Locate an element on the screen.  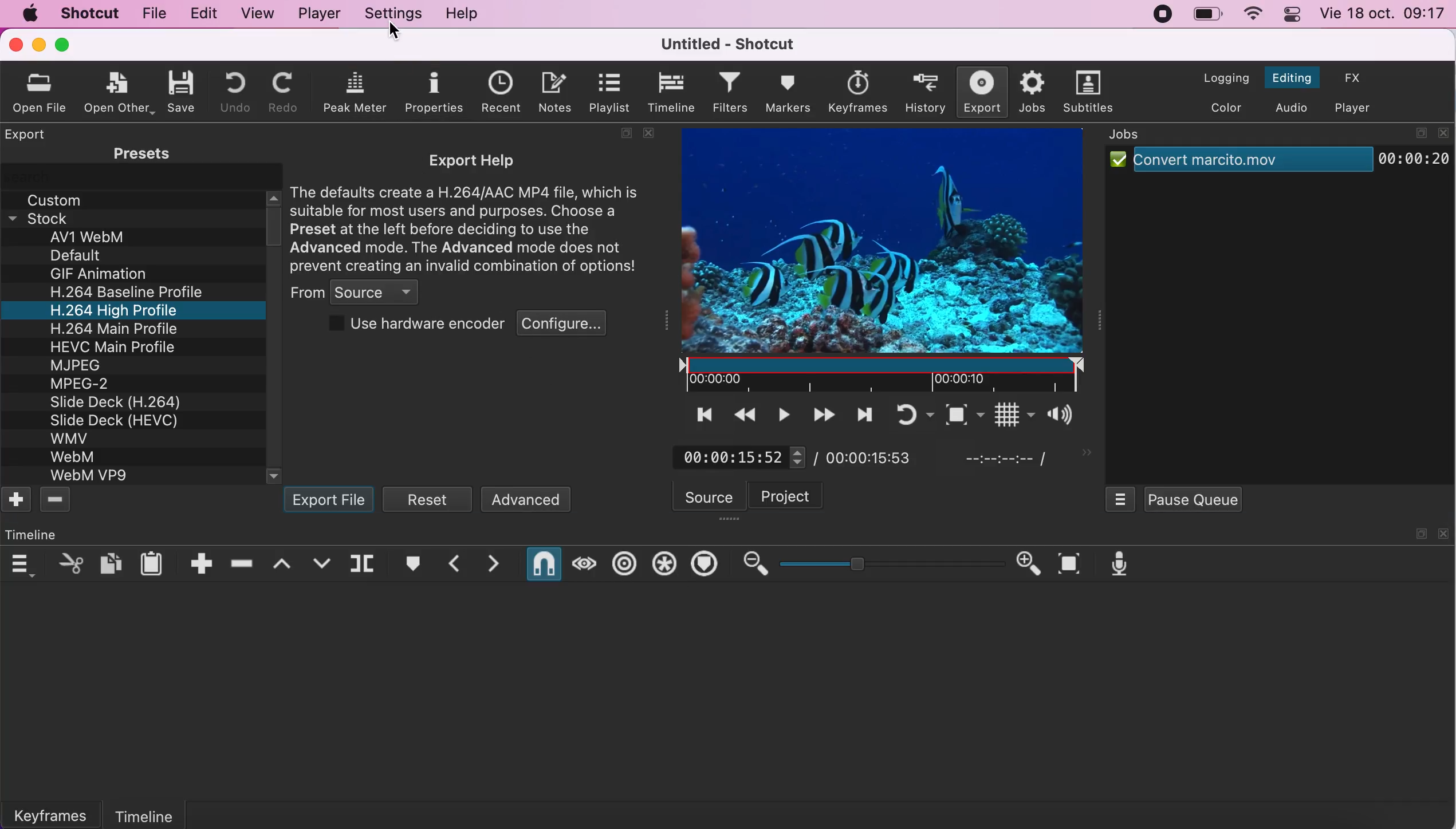
current position is located at coordinates (736, 456).